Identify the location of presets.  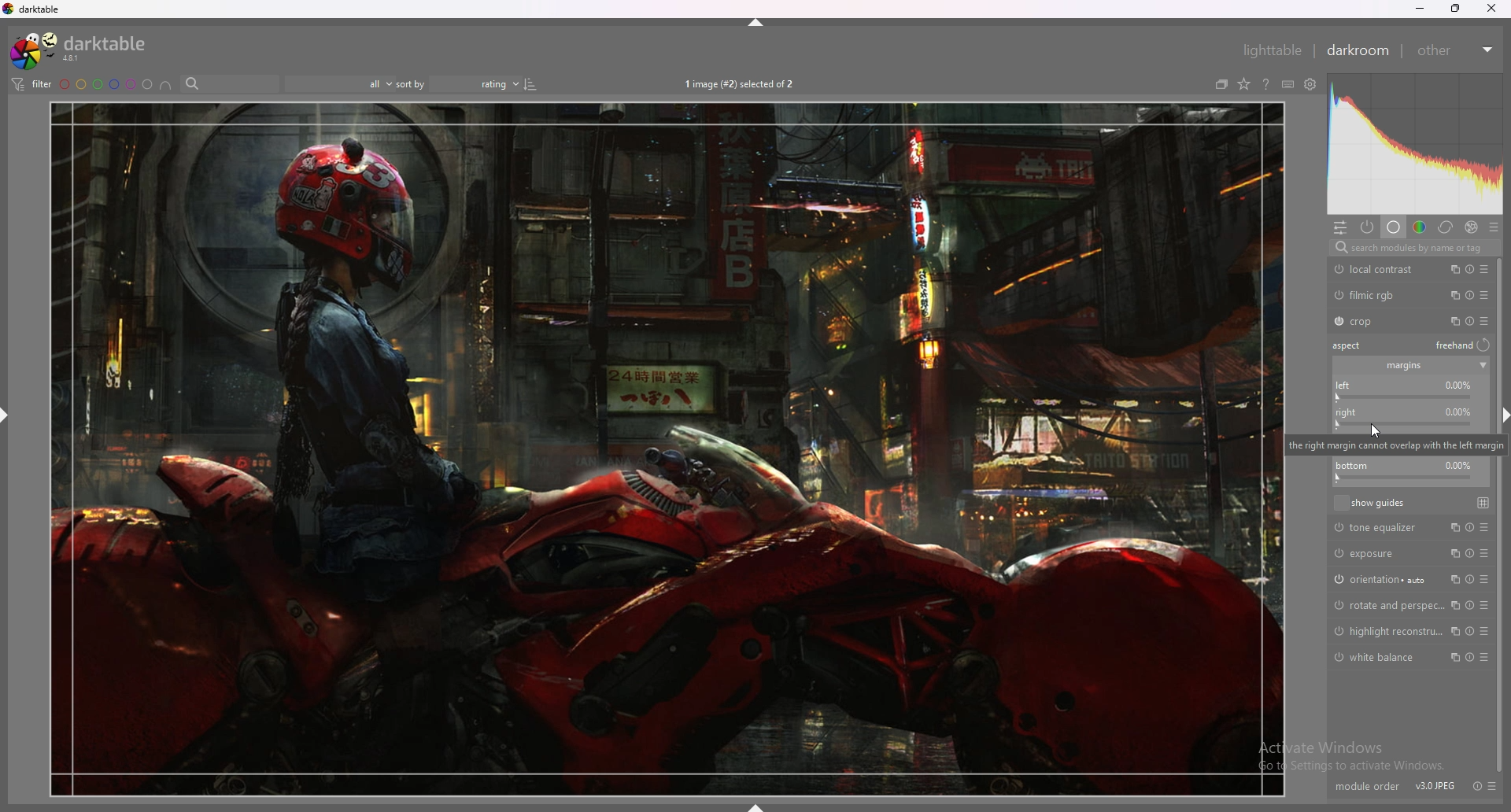
(1488, 606).